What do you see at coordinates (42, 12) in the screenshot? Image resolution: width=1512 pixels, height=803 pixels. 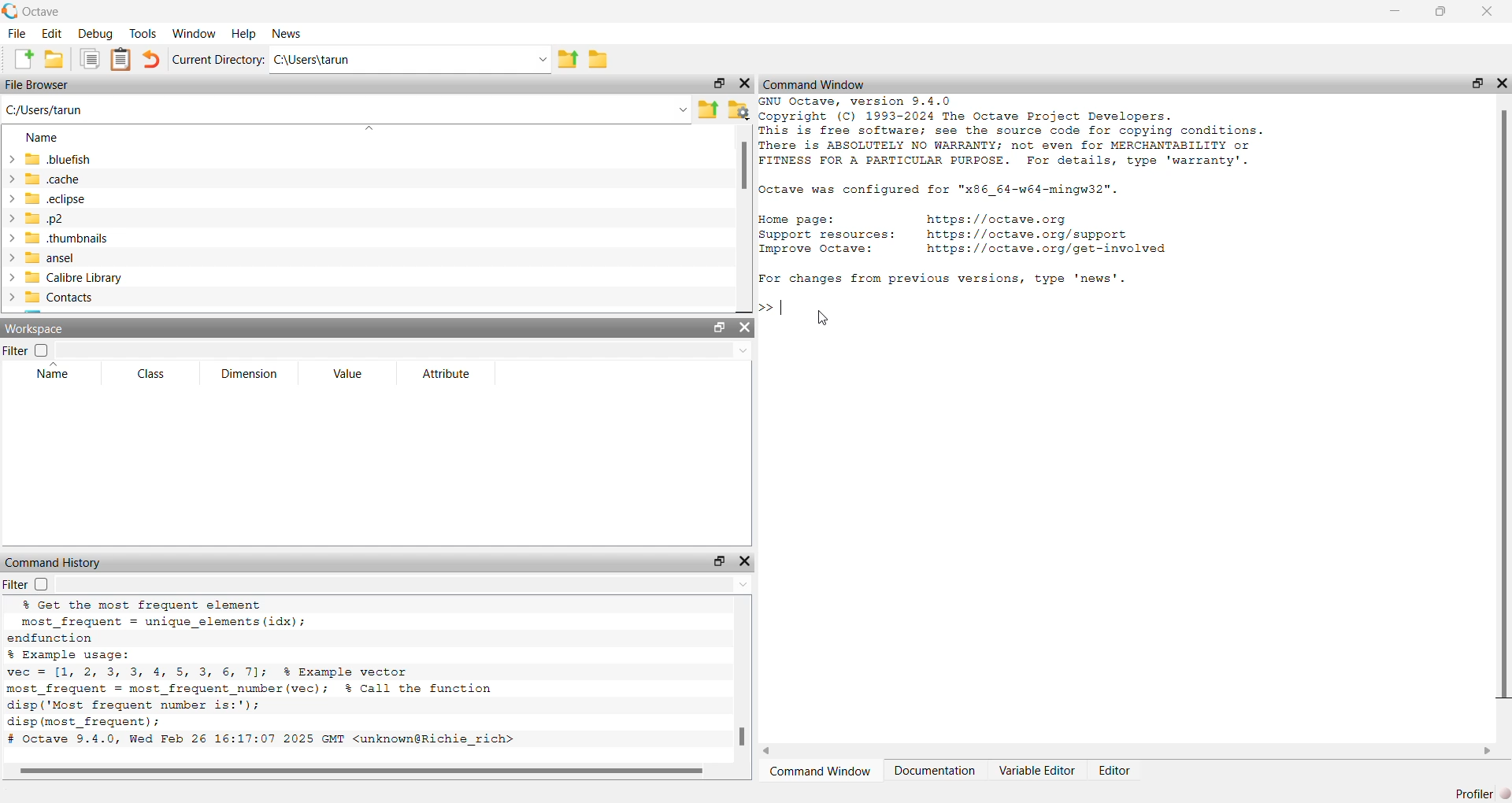 I see `Octave` at bounding box center [42, 12].